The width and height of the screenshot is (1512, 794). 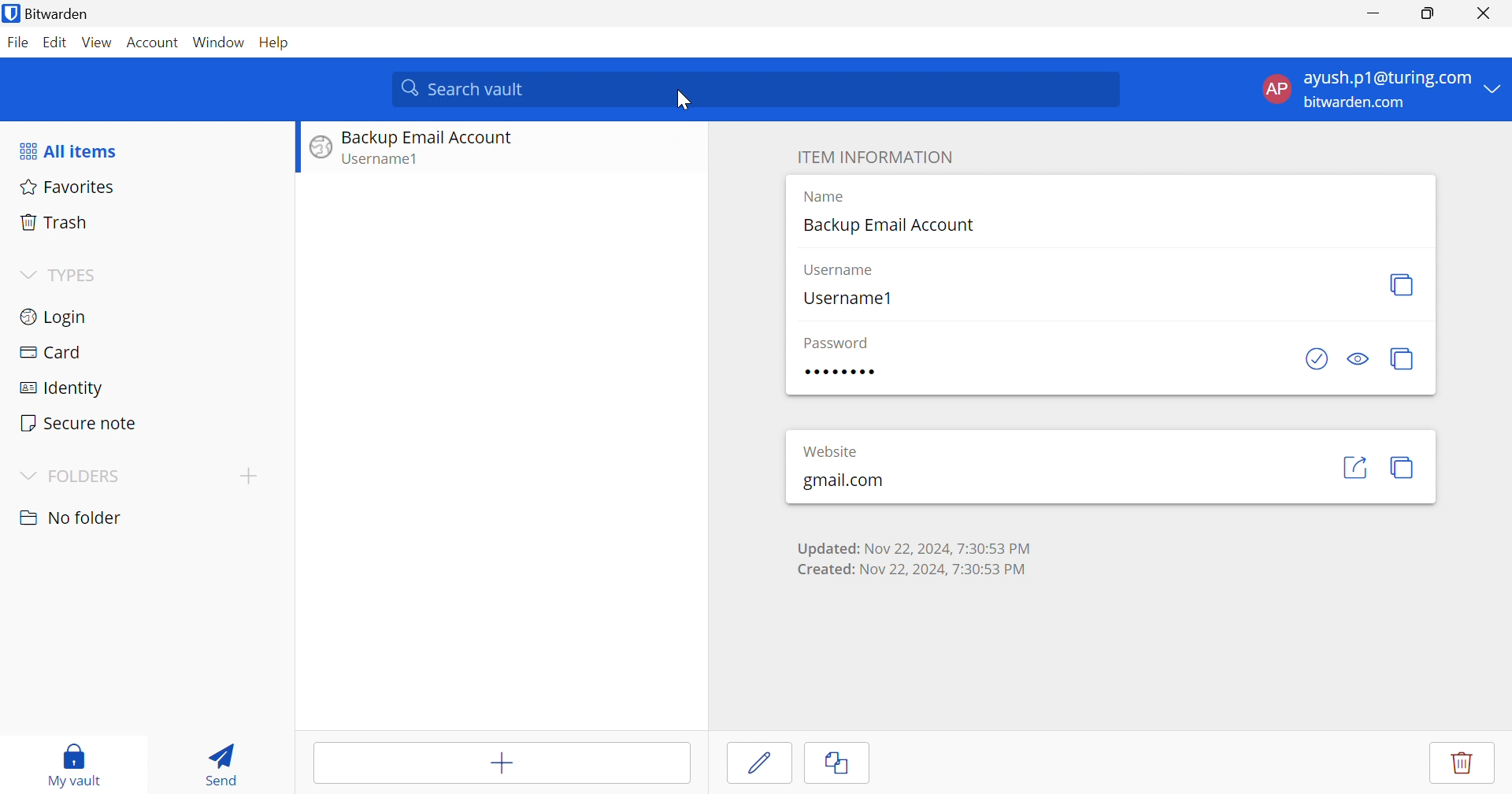 I want to click on Card, so click(x=50, y=354).